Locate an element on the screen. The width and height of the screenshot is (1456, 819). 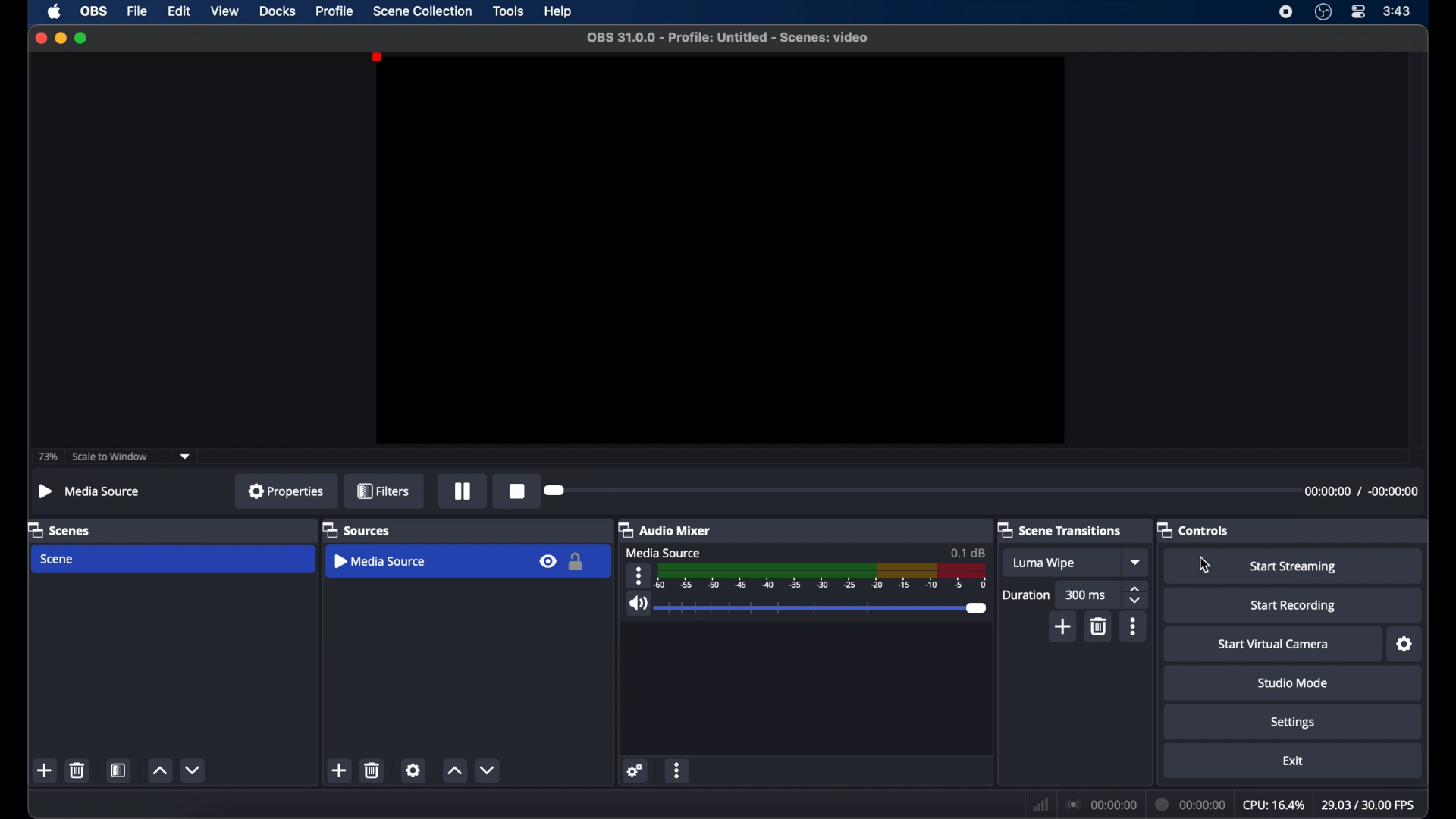
sources is located at coordinates (356, 531).